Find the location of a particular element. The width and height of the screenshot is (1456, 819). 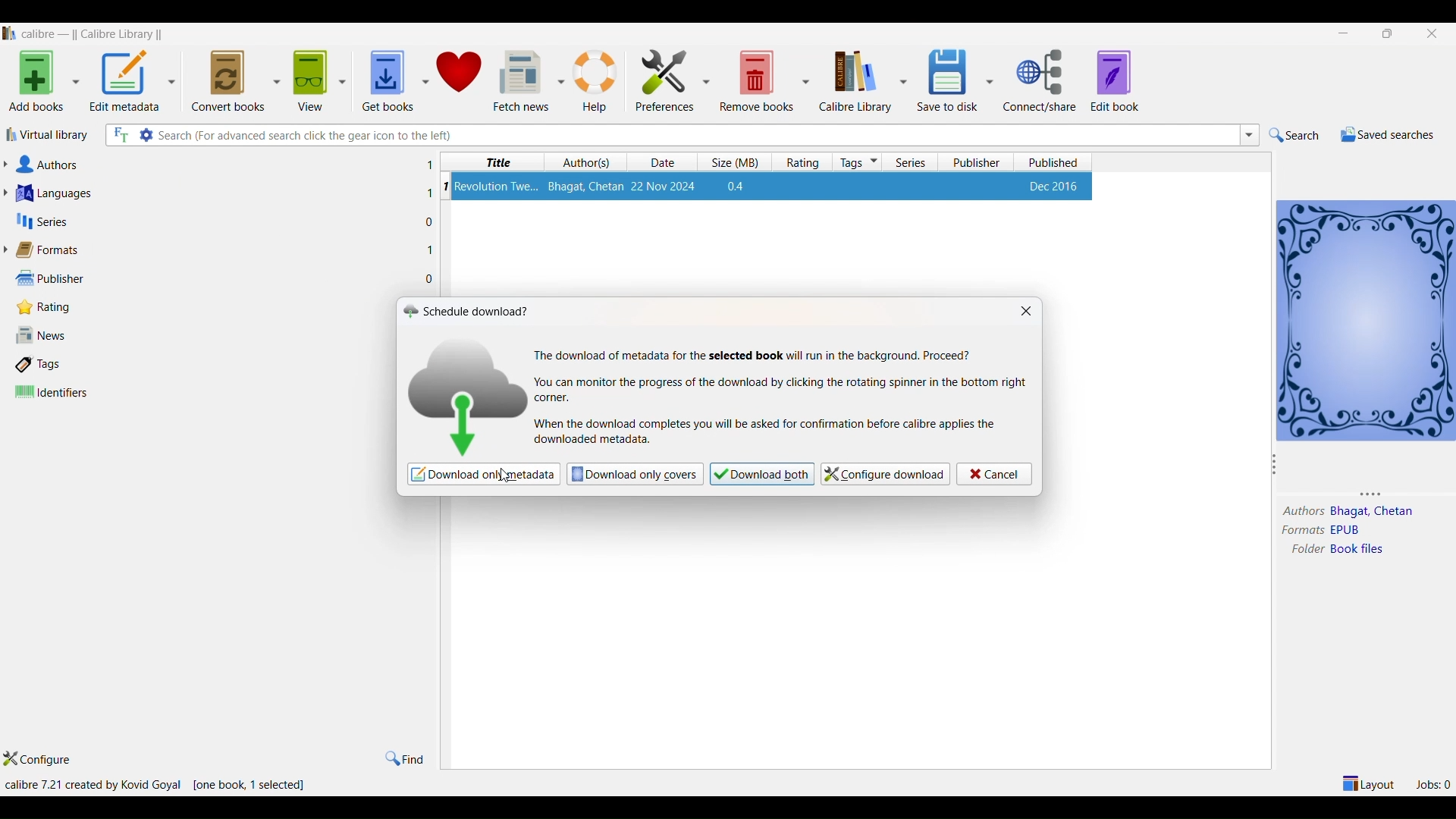

title is located at coordinates (494, 162).